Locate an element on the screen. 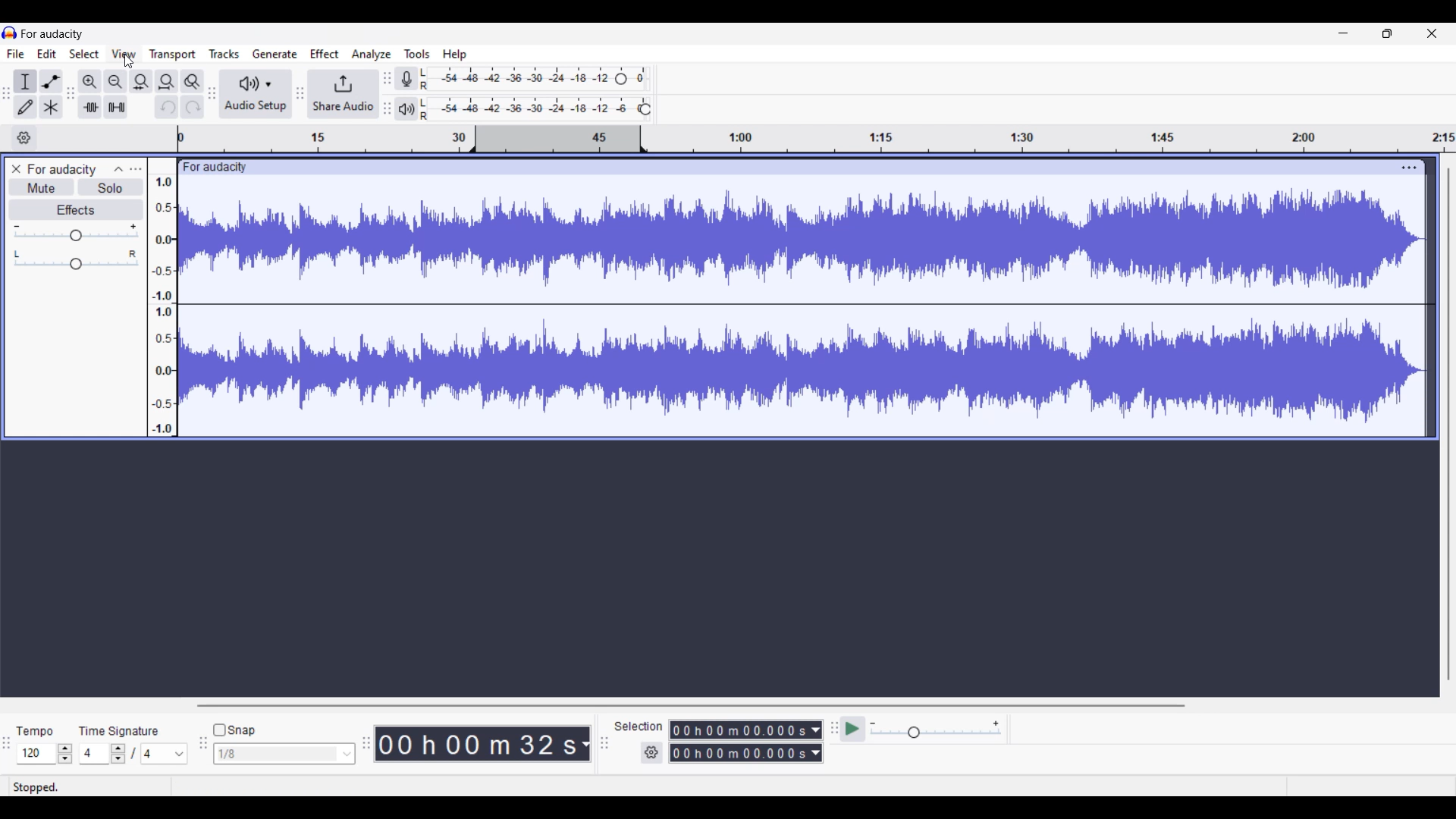  Zoom in is located at coordinates (90, 82).